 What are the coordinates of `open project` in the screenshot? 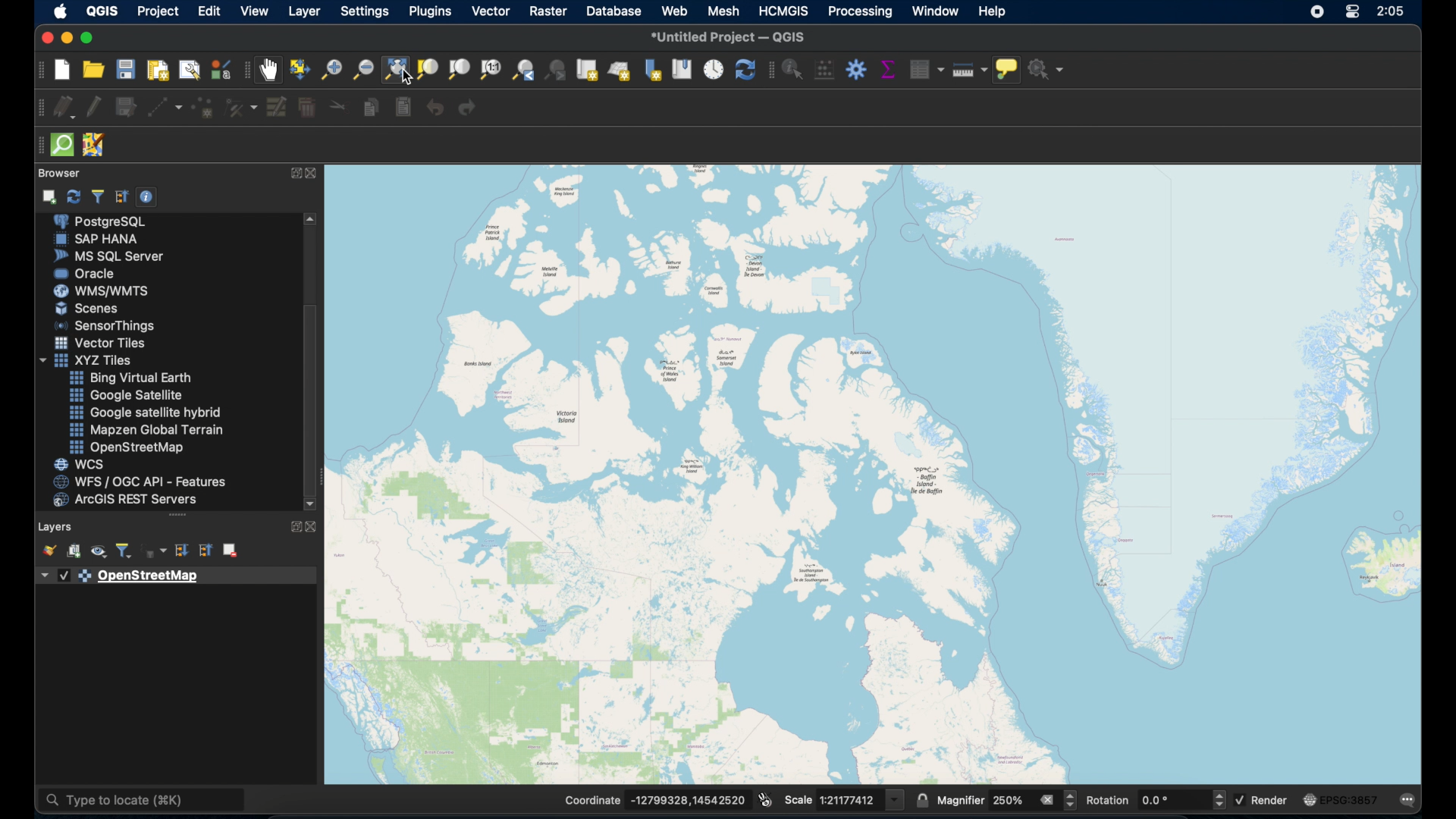 It's located at (94, 68).